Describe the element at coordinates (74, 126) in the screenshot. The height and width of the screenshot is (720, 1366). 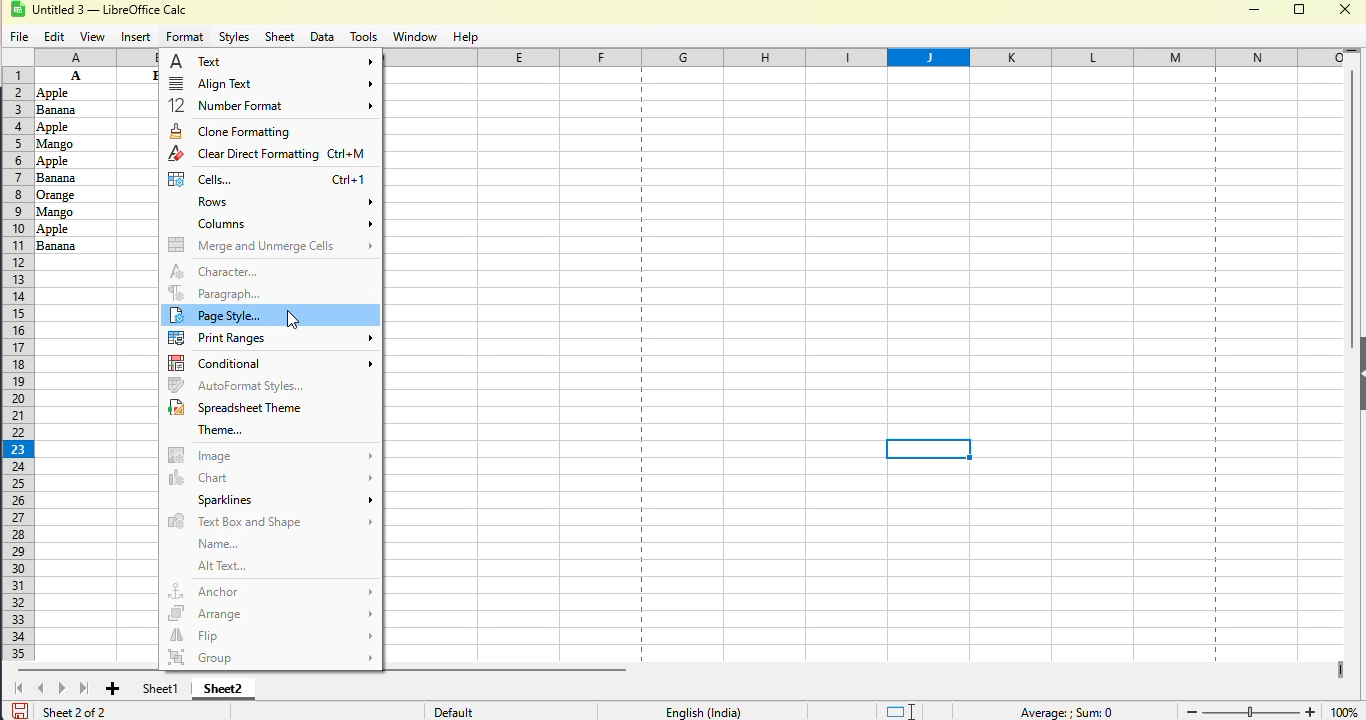
I see `` at that location.